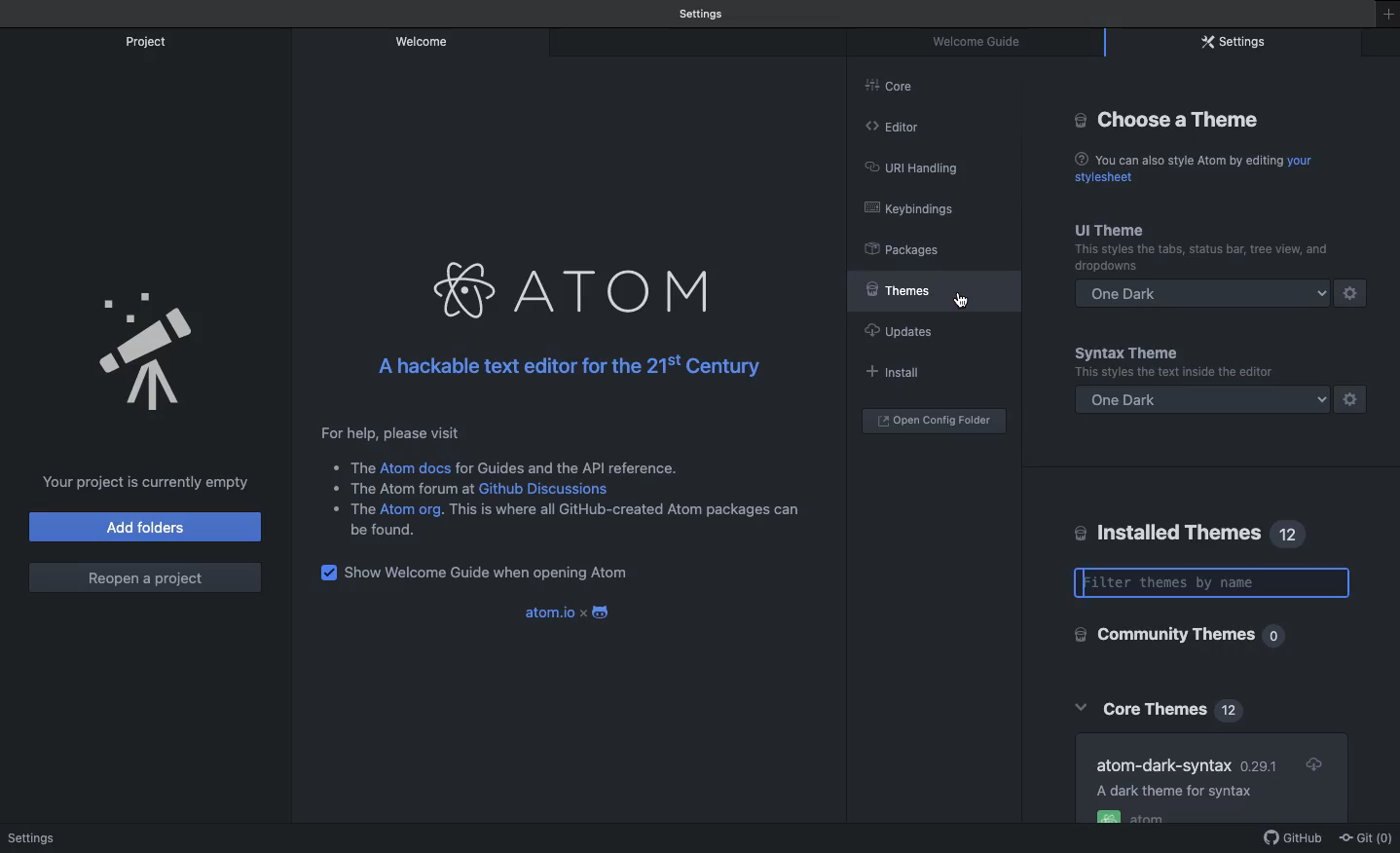 Image resolution: width=1400 pixels, height=853 pixels. What do you see at coordinates (907, 248) in the screenshot?
I see `Packages` at bounding box center [907, 248].